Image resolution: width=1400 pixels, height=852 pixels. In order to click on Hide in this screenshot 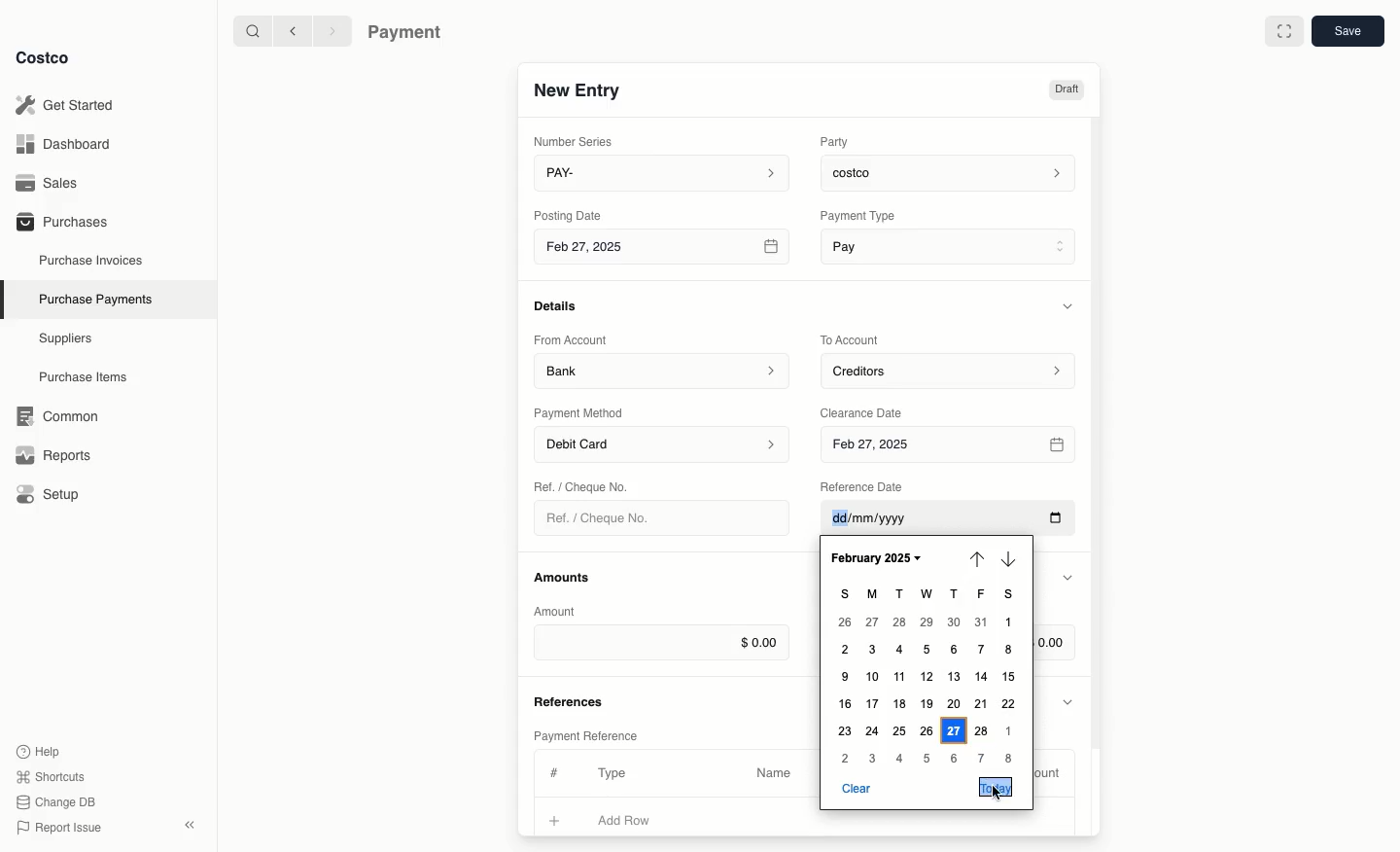, I will do `click(1070, 305)`.